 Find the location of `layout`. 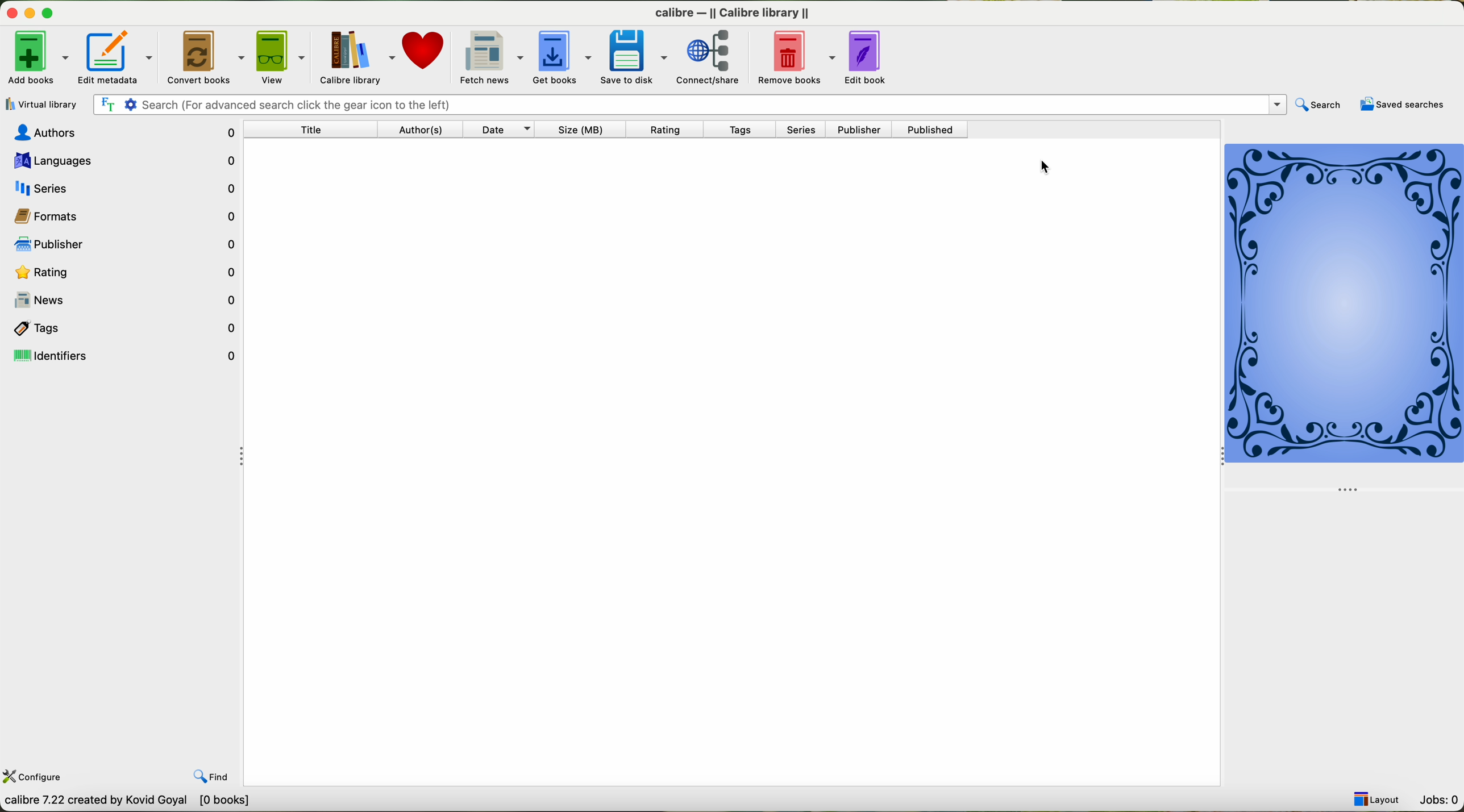

layout is located at coordinates (1379, 801).